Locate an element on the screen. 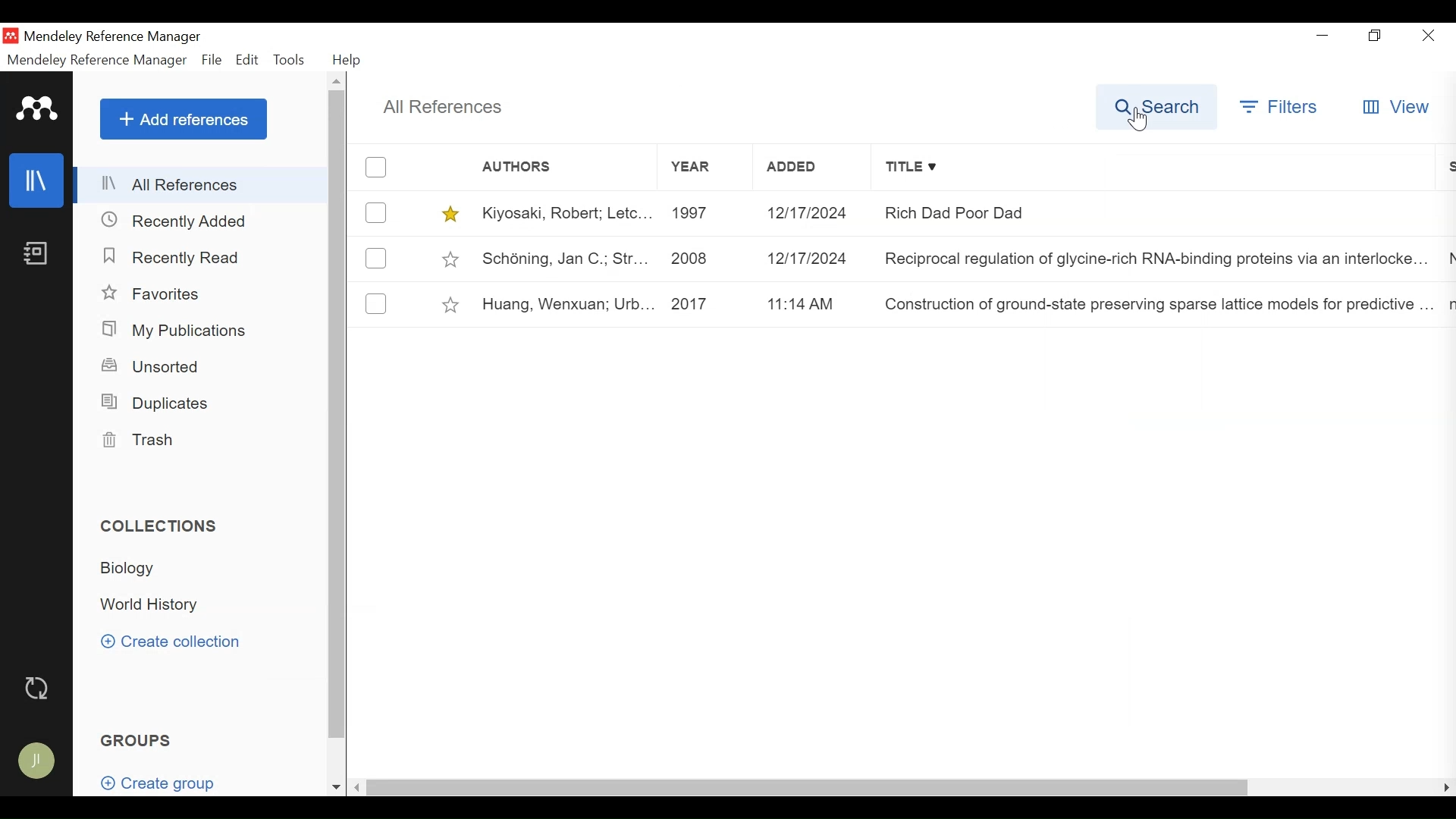 This screenshot has height=819, width=1456. Year is located at coordinates (703, 168).